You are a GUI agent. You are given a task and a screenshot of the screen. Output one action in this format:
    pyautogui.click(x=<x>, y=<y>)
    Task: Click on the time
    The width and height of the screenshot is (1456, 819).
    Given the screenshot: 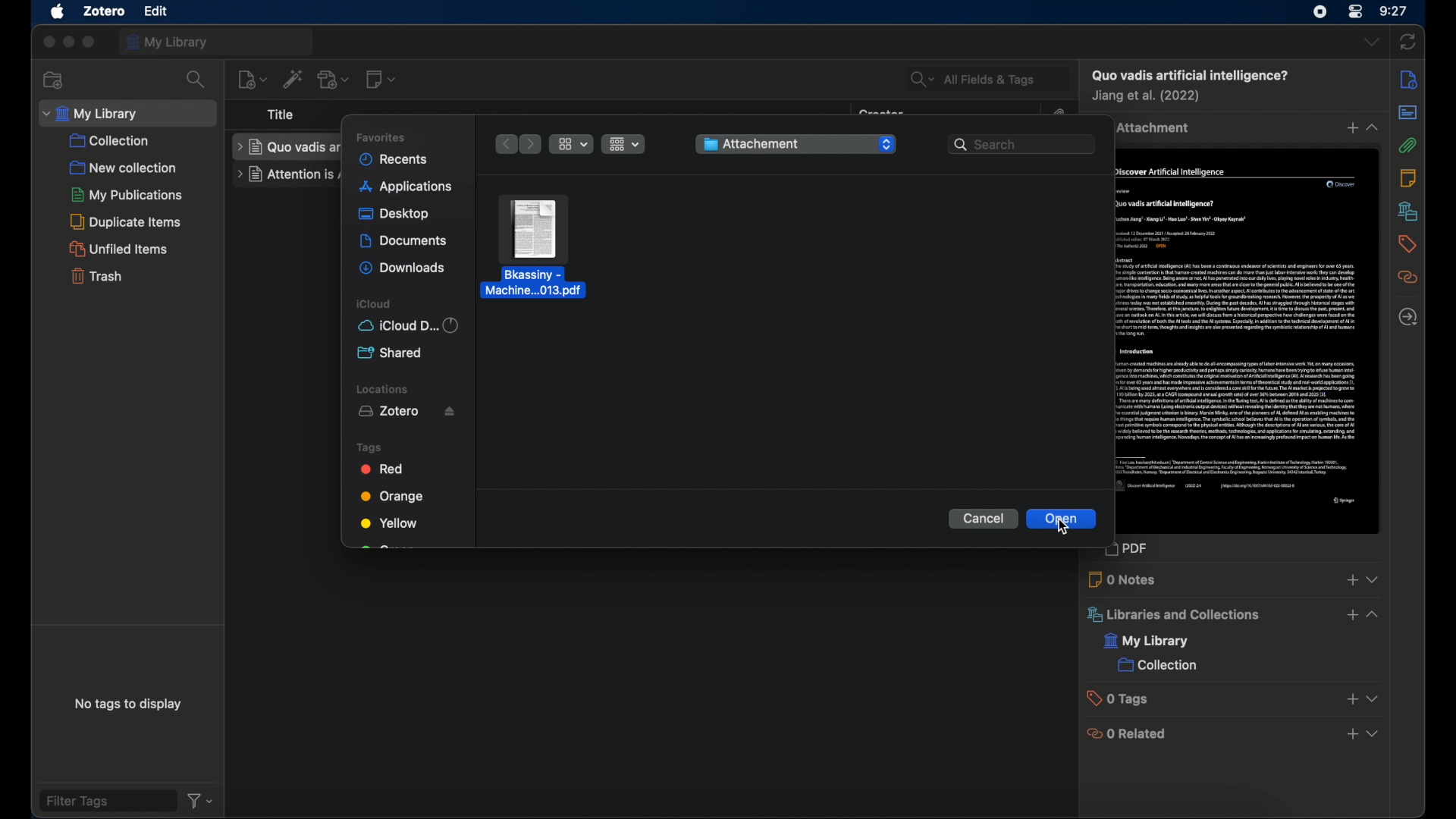 What is the action you would take?
    pyautogui.click(x=1394, y=11)
    